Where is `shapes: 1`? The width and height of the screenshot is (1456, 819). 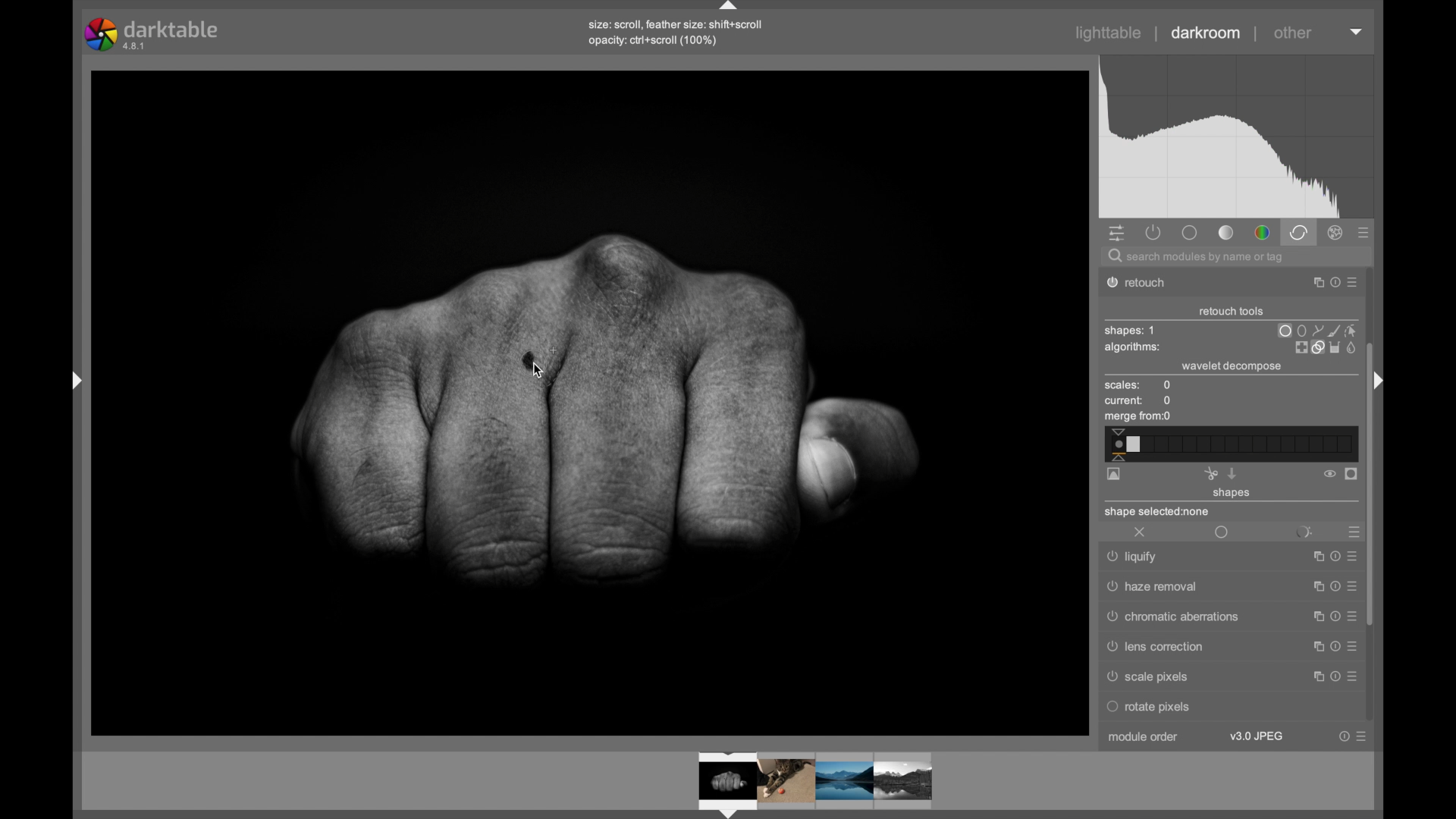
shapes: 1 is located at coordinates (1129, 331).